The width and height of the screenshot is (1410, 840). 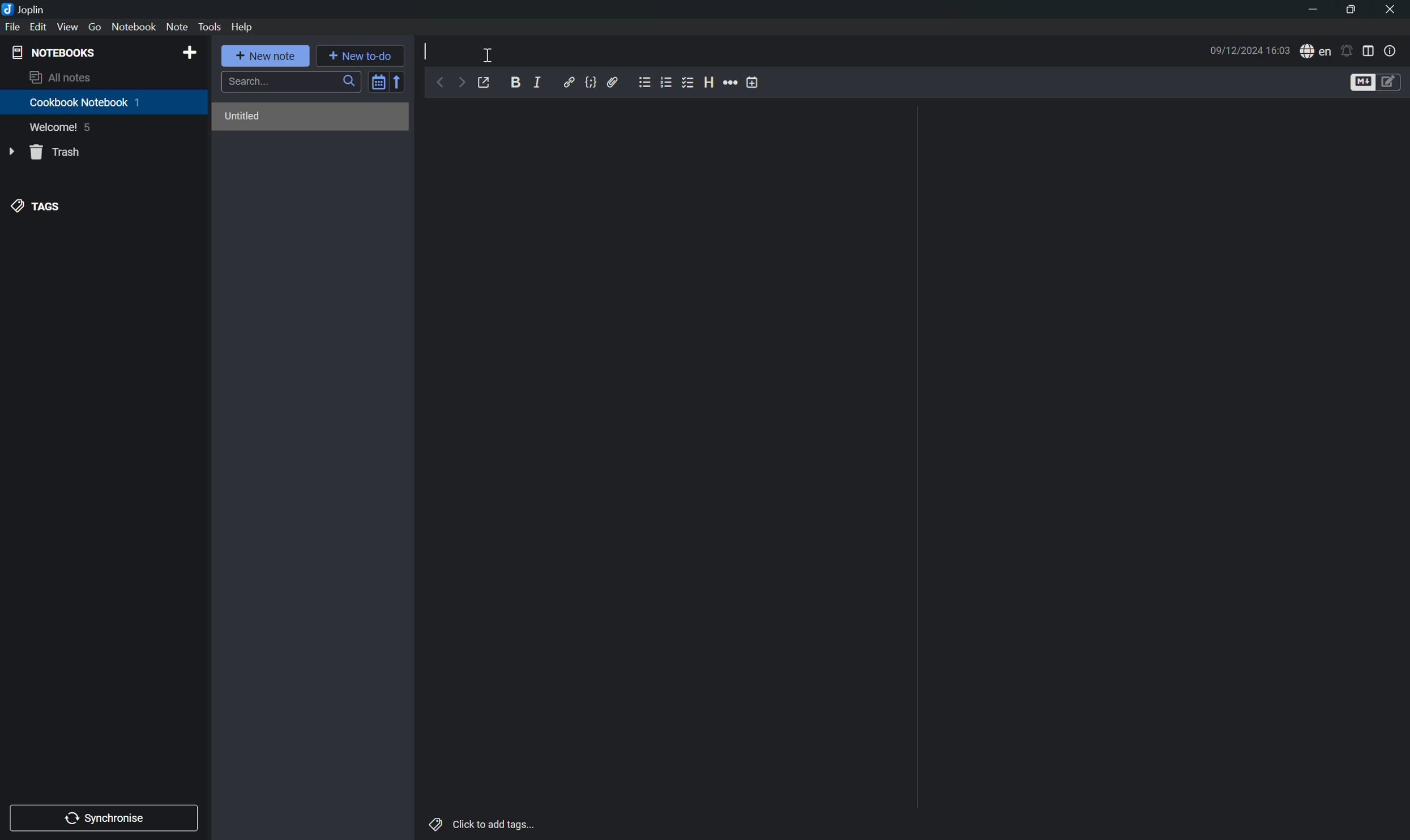 What do you see at coordinates (243, 28) in the screenshot?
I see `Help` at bounding box center [243, 28].